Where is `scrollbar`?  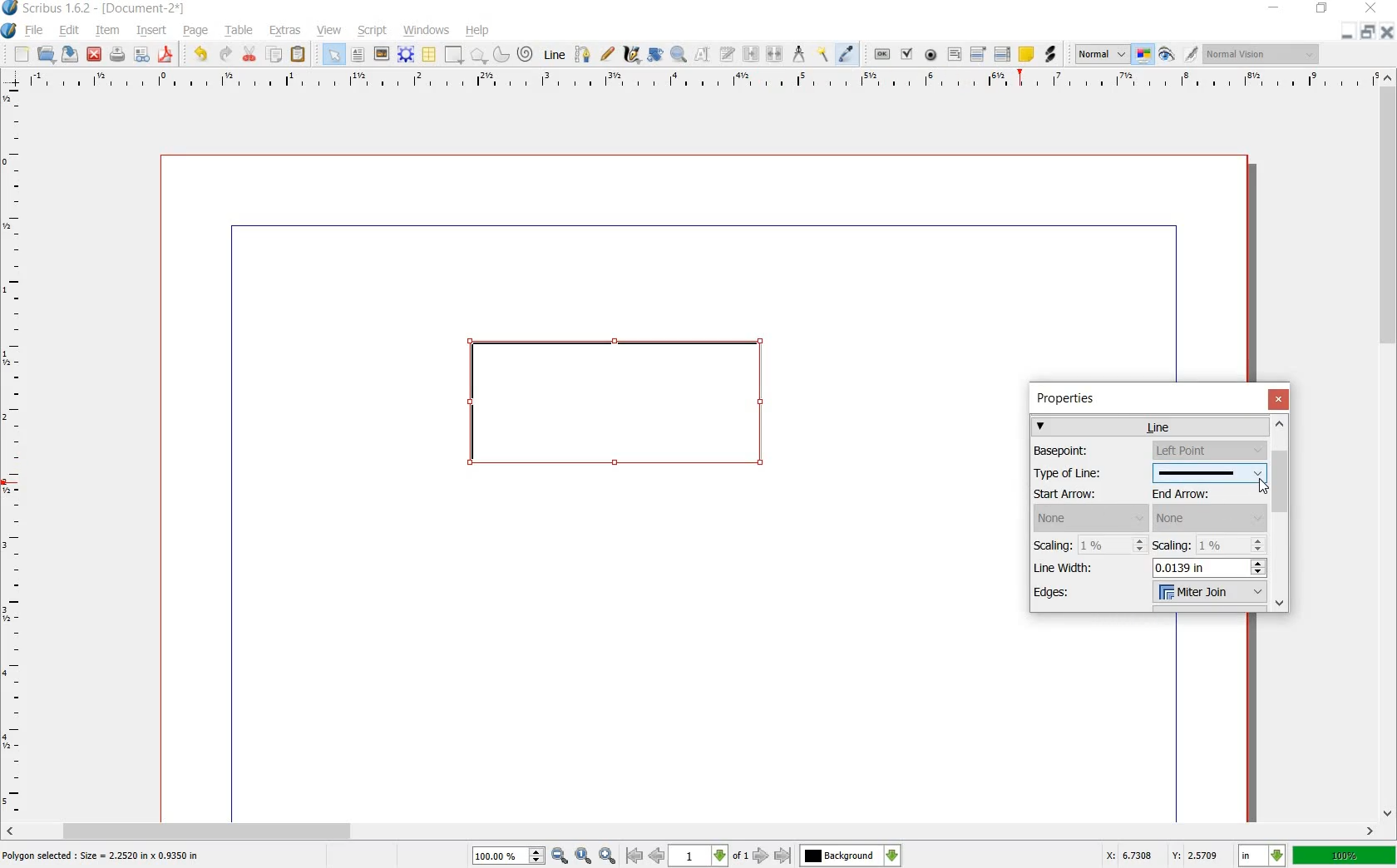 scrollbar is located at coordinates (1281, 513).